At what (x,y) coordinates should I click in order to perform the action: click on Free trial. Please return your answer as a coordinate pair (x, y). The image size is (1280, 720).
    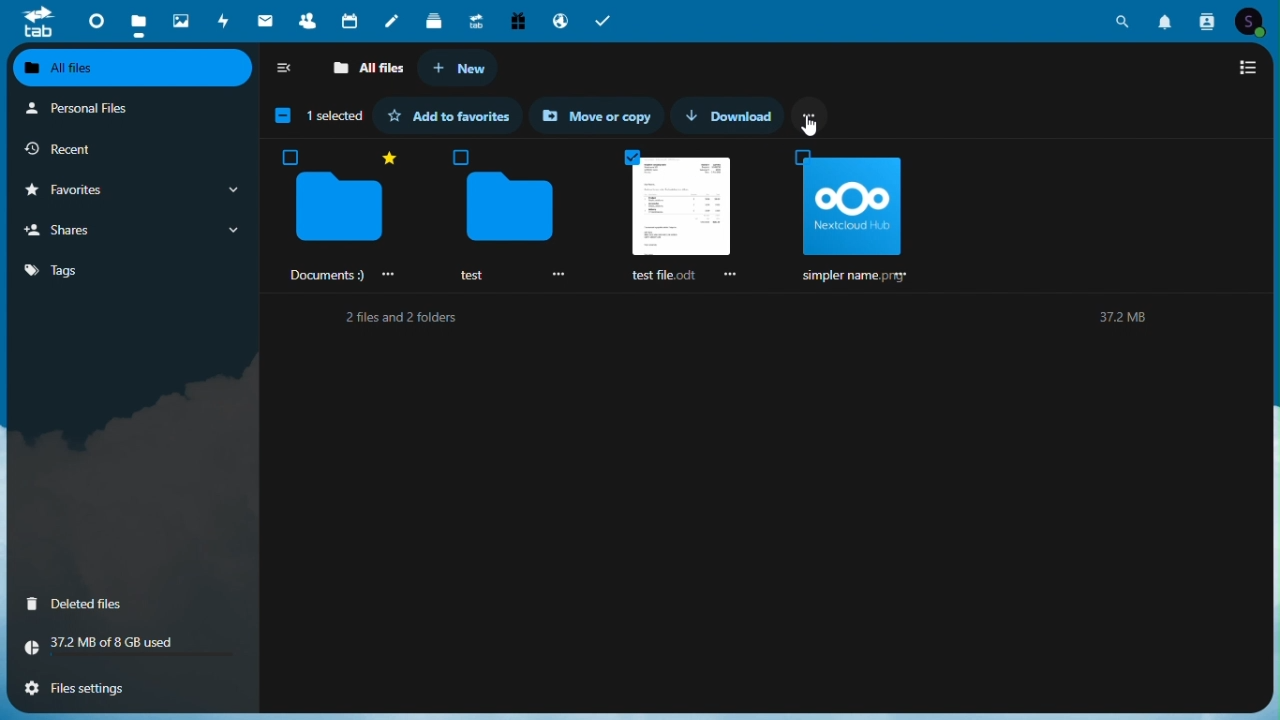
    Looking at the image, I should click on (516, 19).